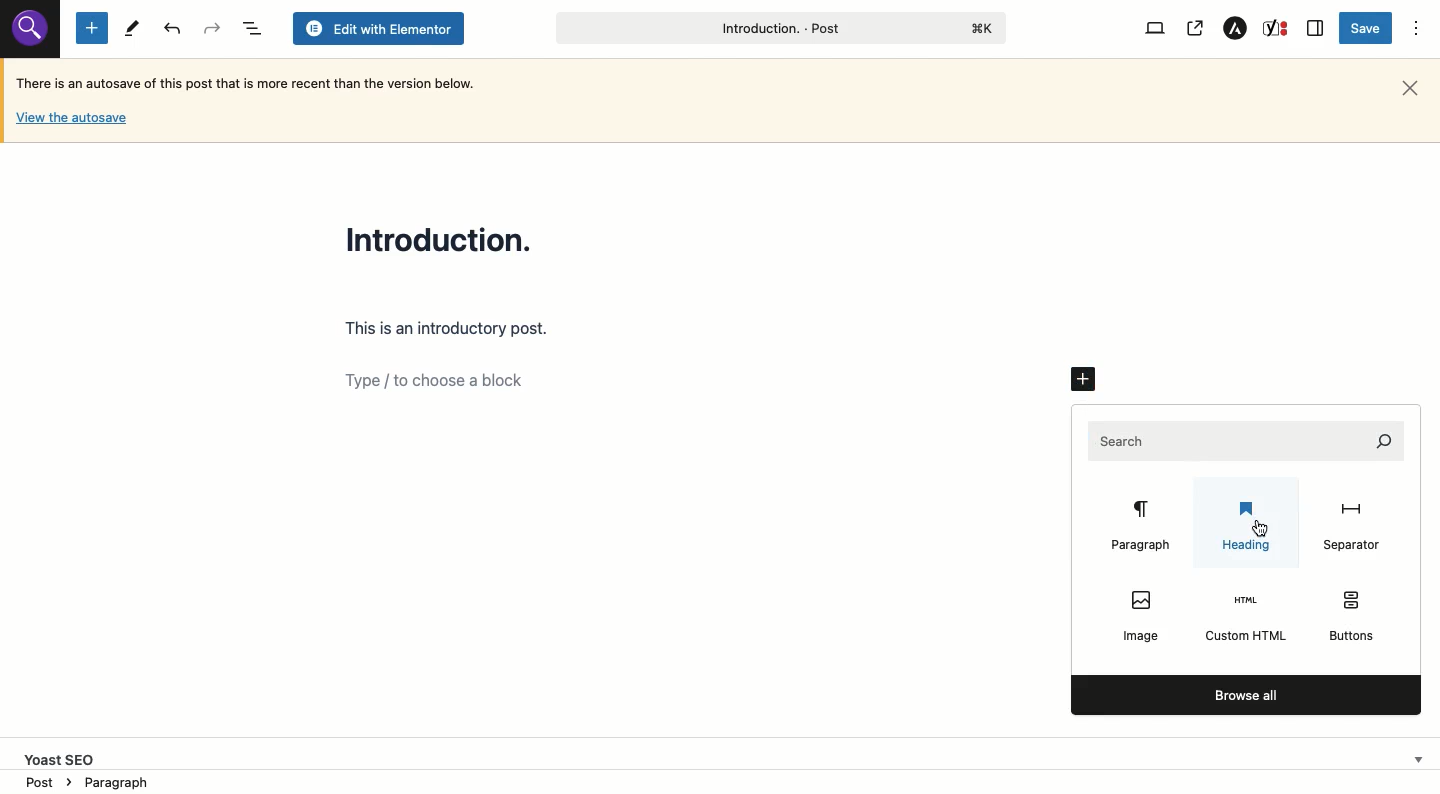 Image resolution: width=1440 pixels, height=794 pixels. I want to click on Paragraph, so click(1144, 528).